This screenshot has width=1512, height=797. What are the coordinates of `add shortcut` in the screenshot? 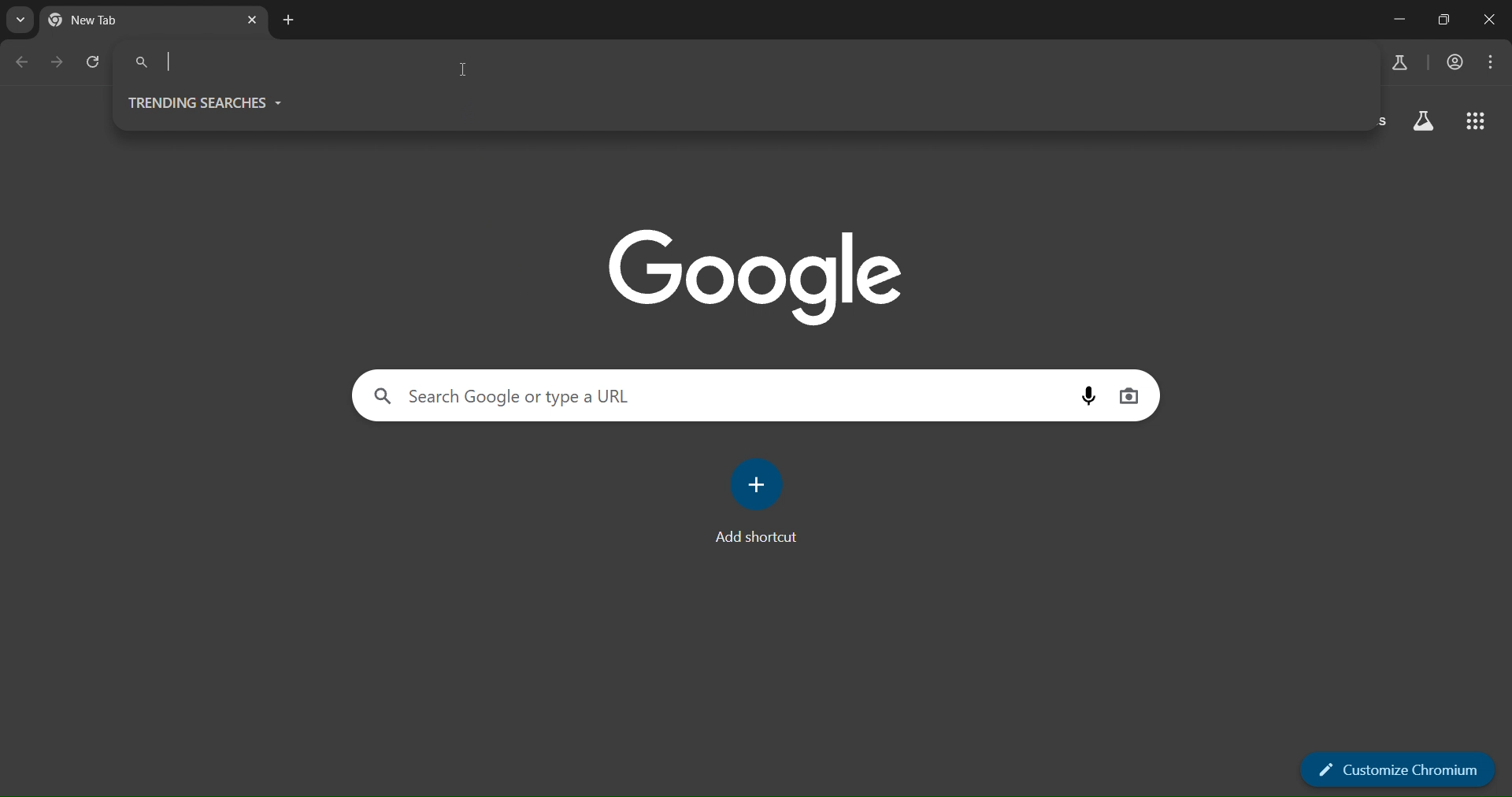 It's located at (758, 502).